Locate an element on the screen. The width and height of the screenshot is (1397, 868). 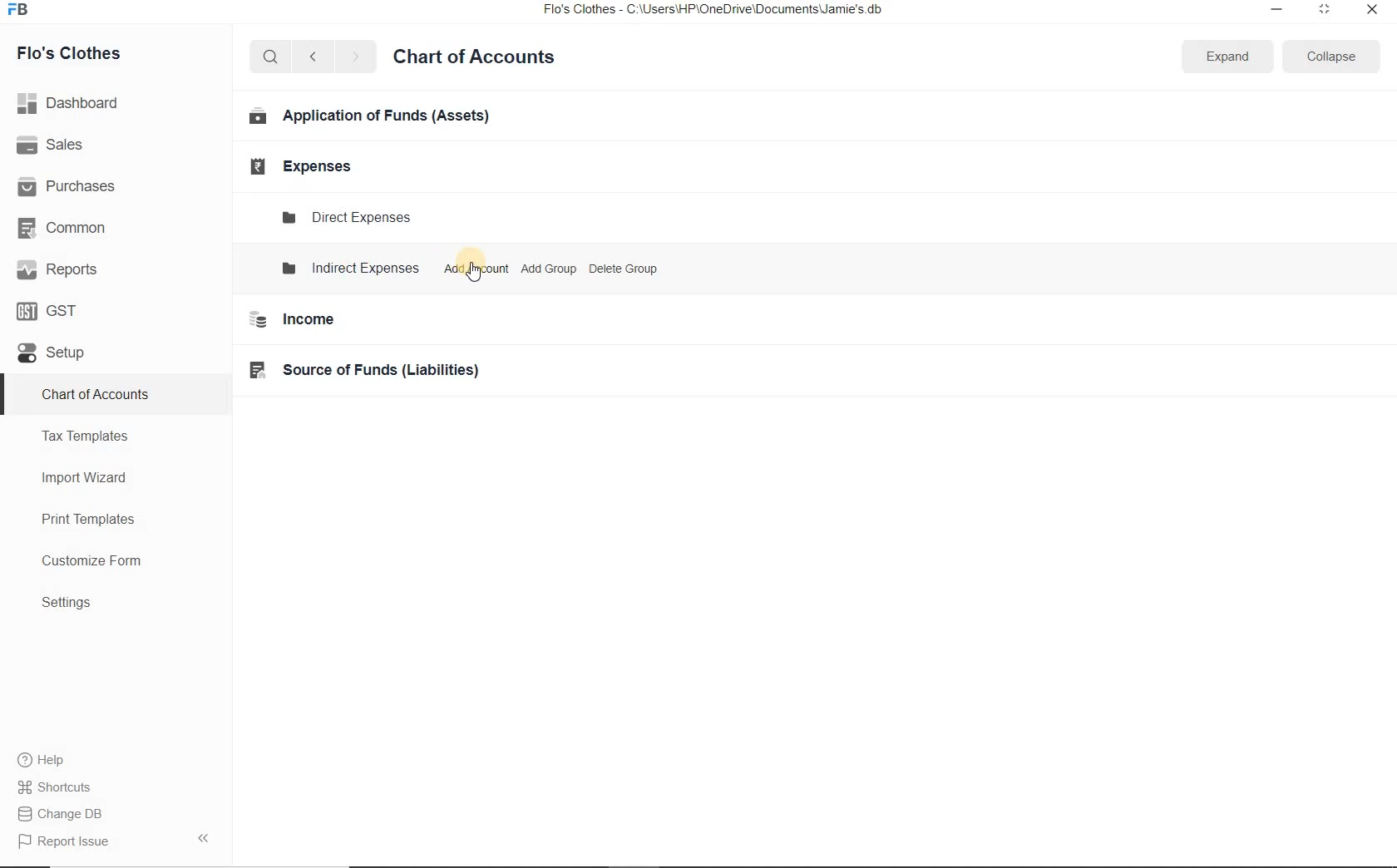
Add Account is located at coordinates (473, 269).